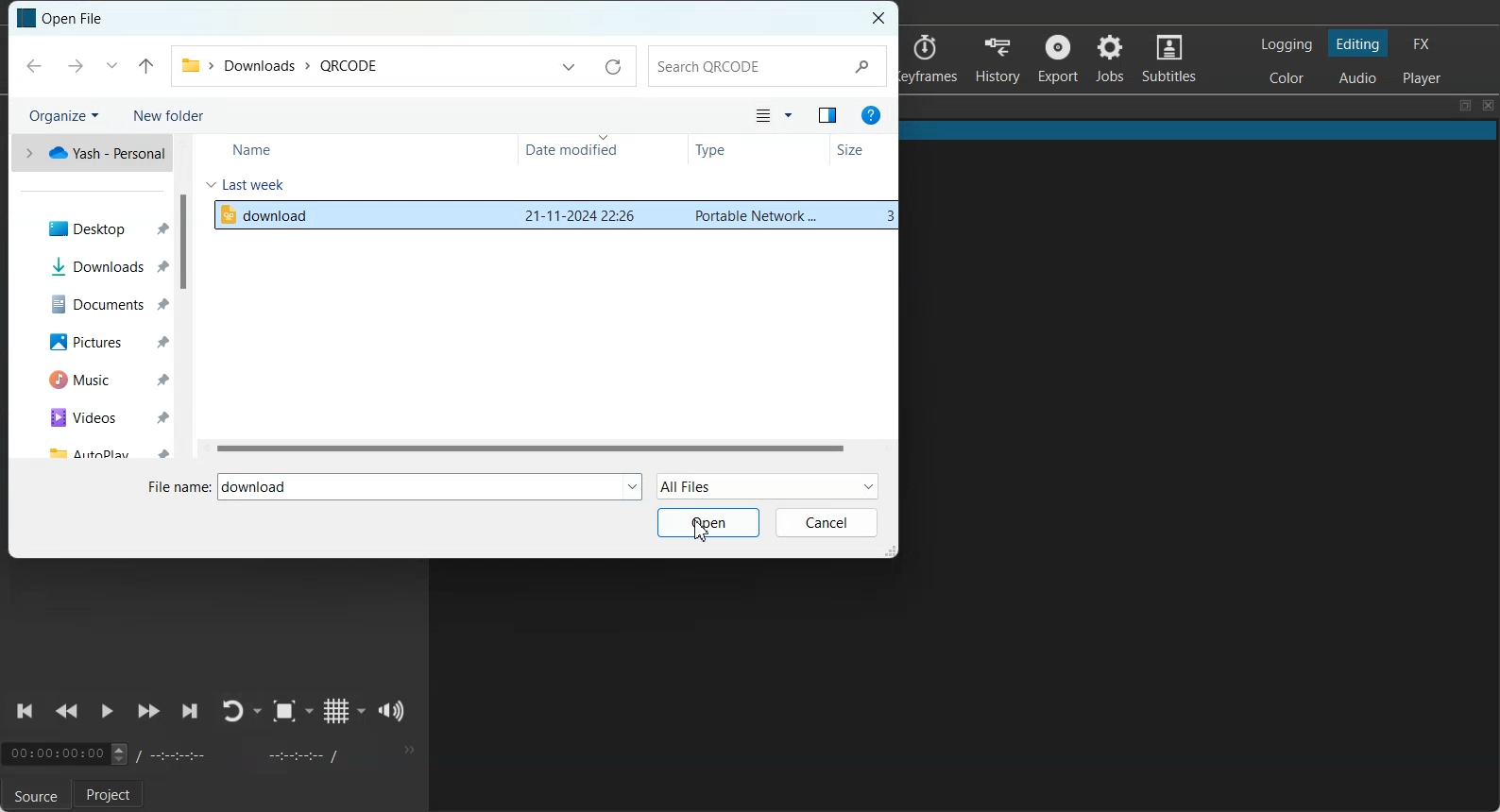  What do you see at coordinates (86, 19) in the screenshot?
I see `Text` at bounding box center [86, 19].